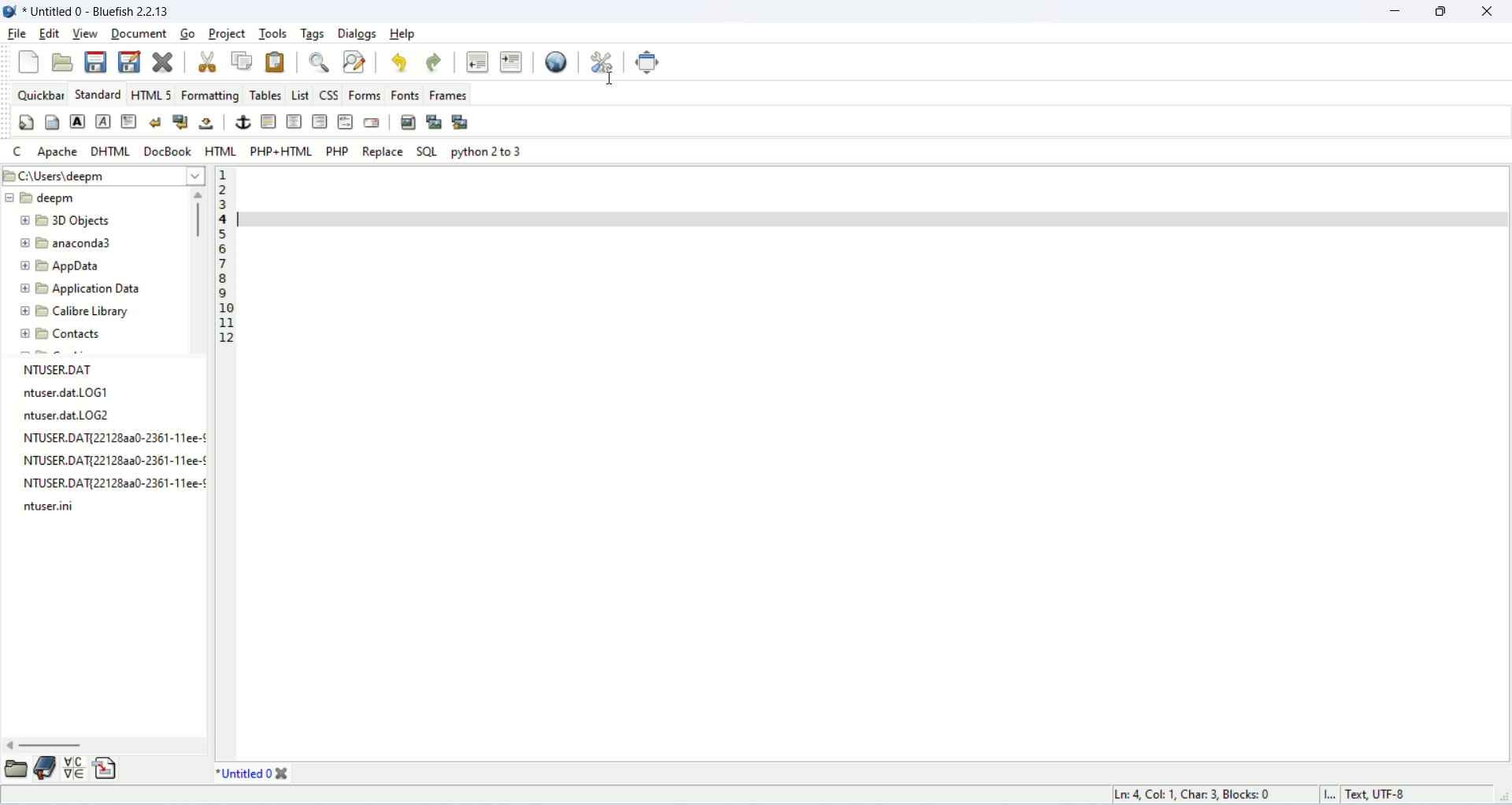  Describe the element at coordinates (59, 151) in the screenshot. I see `apache` at that location.